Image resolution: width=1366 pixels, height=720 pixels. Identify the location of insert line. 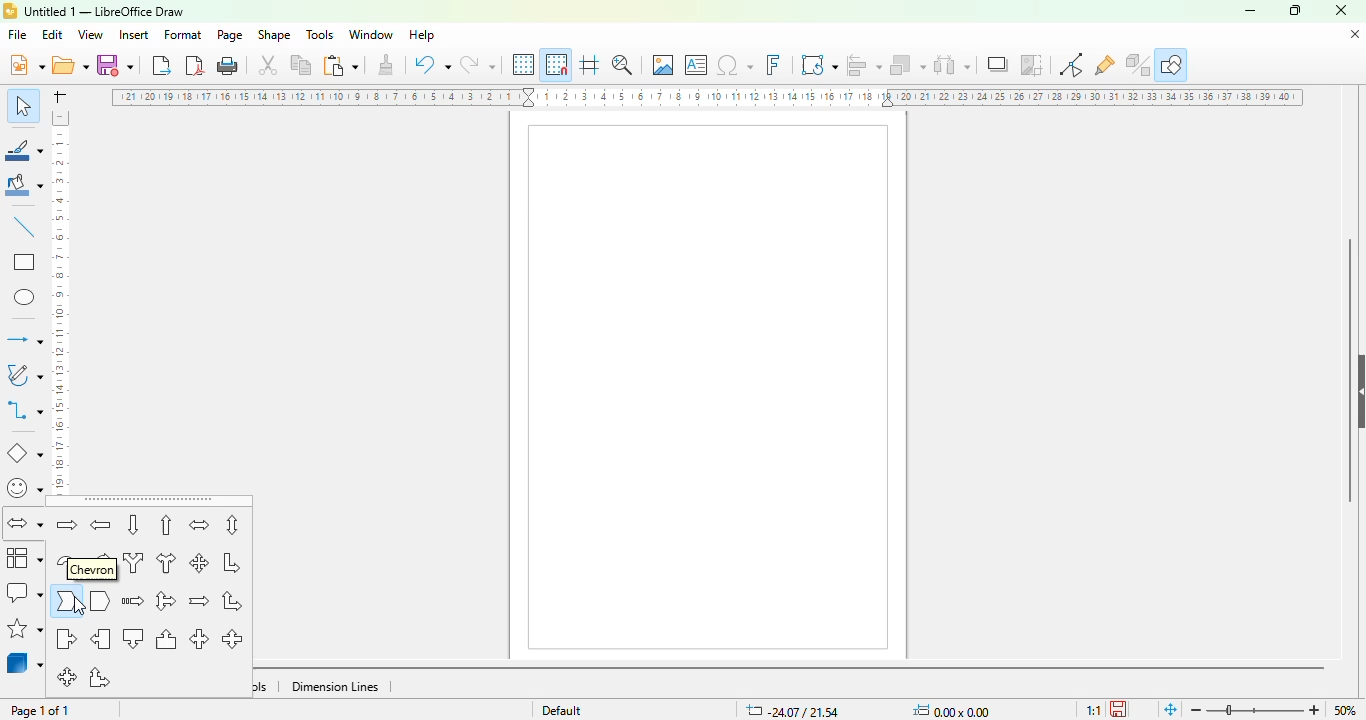
(25, 226).